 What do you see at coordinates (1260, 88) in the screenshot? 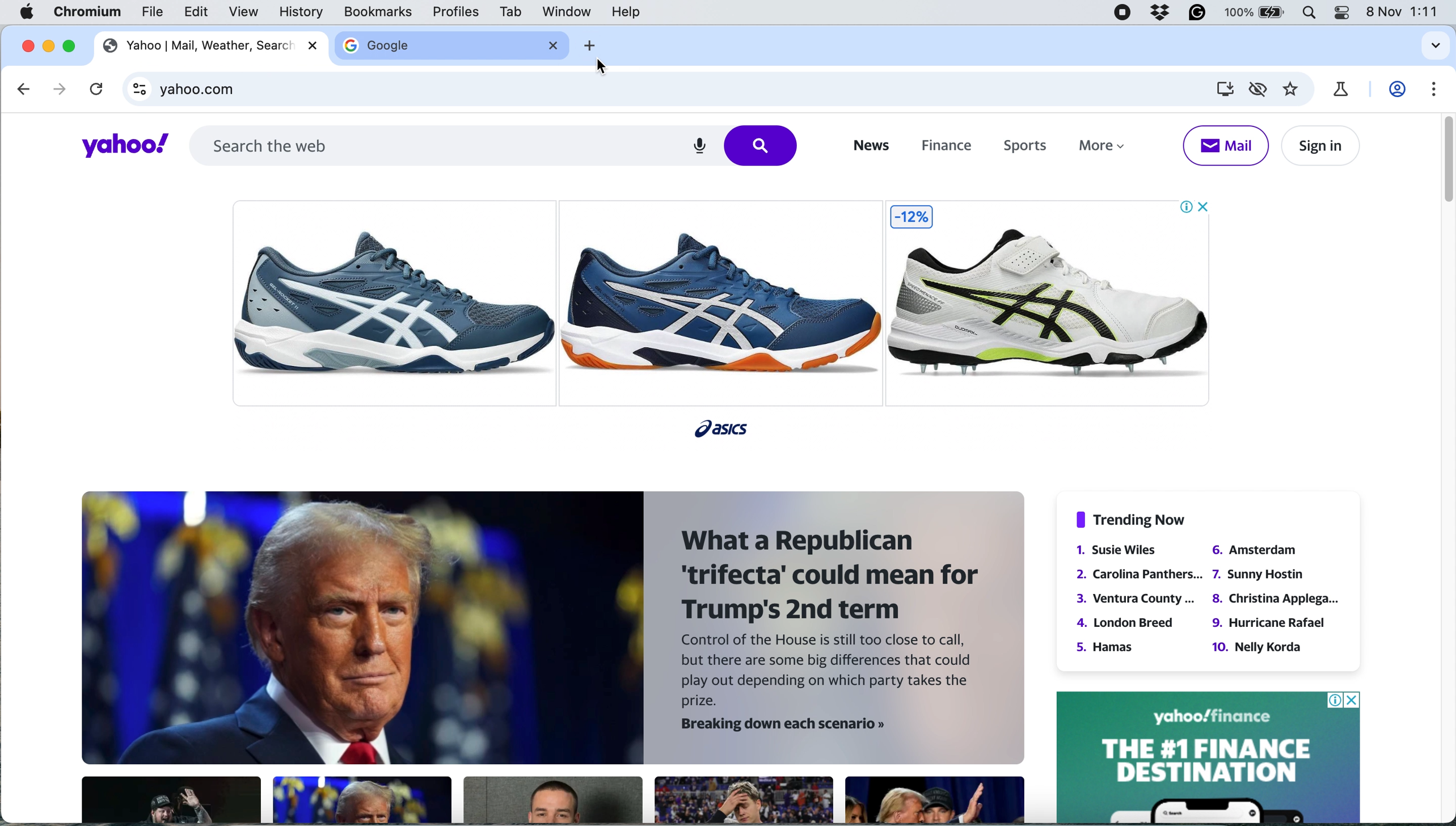
I see `third party cookies limited` at bounding box center [1260, 88].